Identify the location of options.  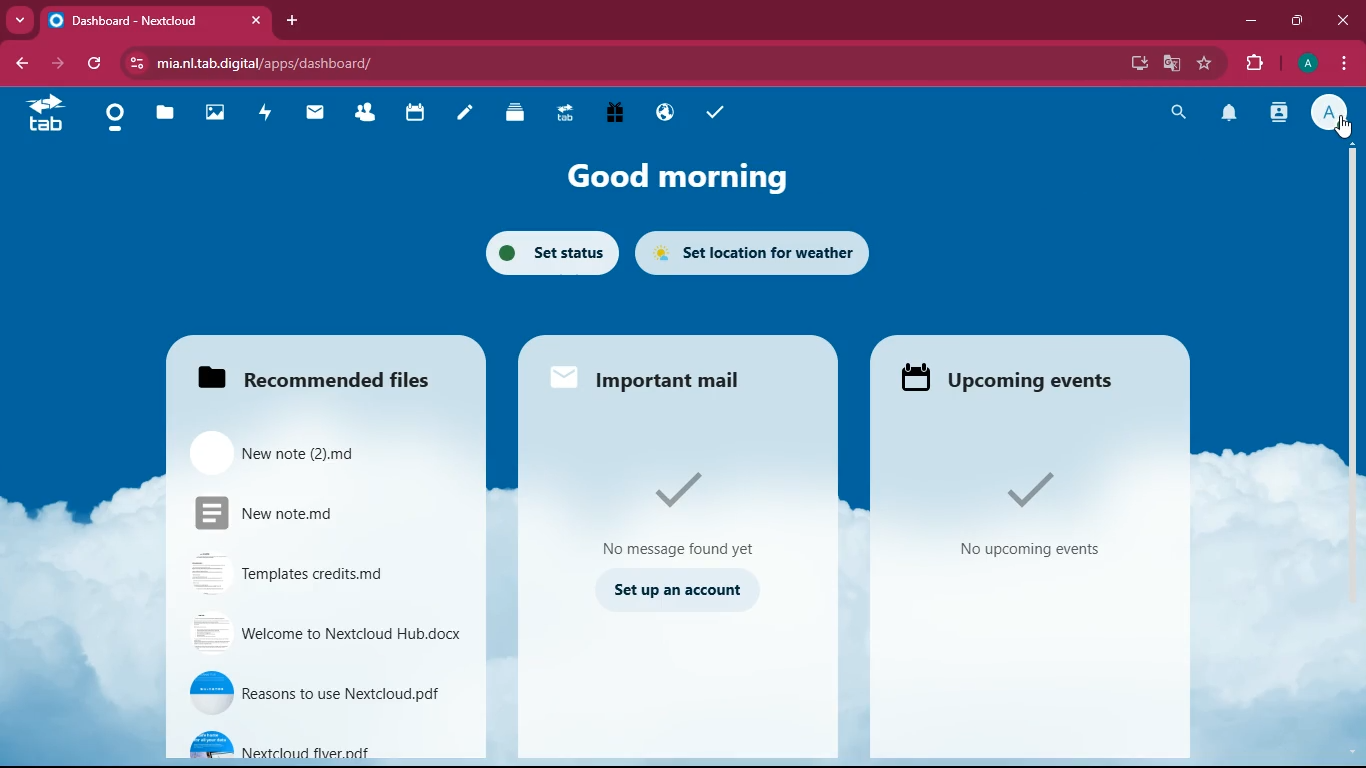
(1346, 65).